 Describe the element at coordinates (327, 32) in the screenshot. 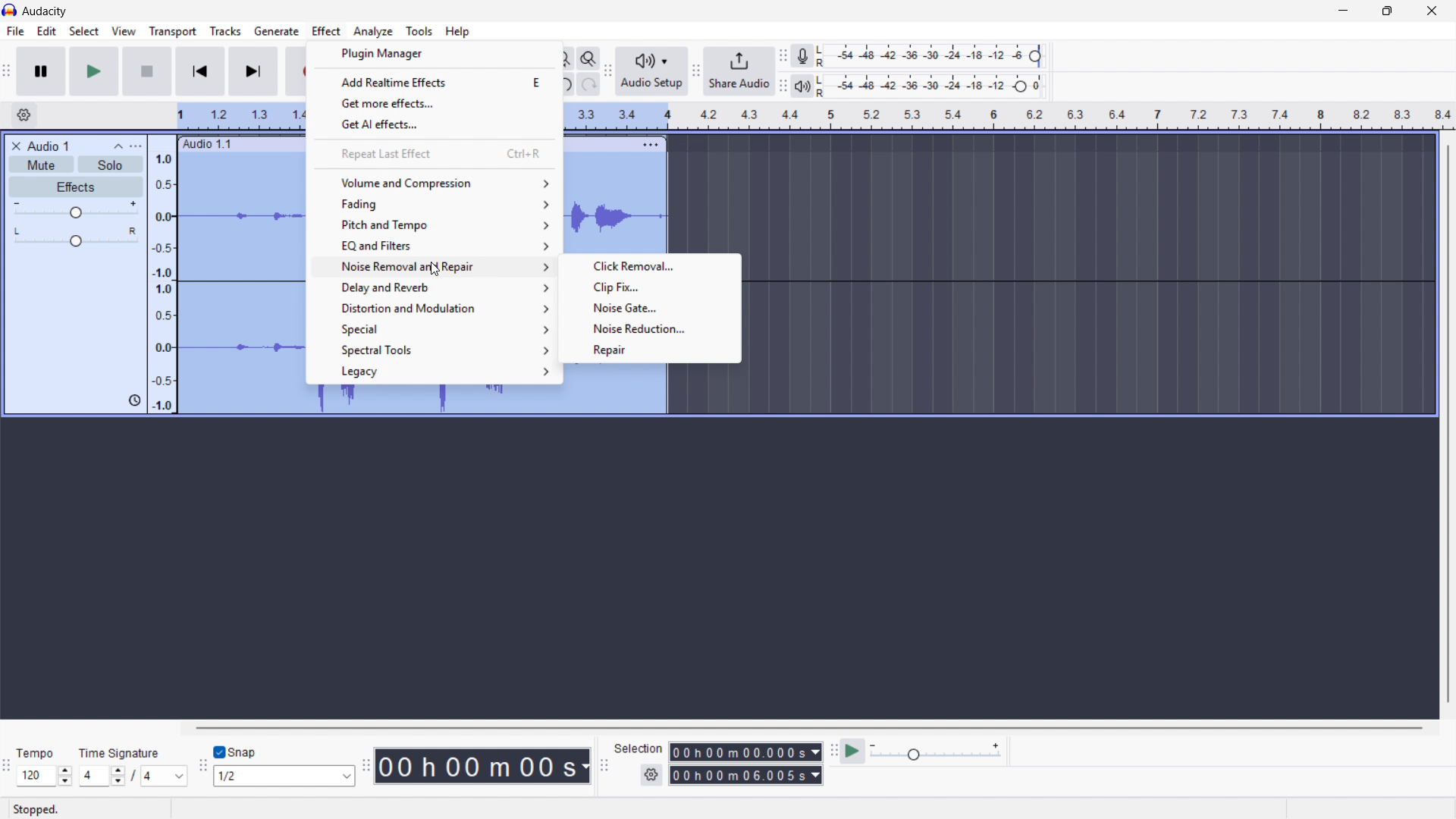

I see `Effect` at that location.